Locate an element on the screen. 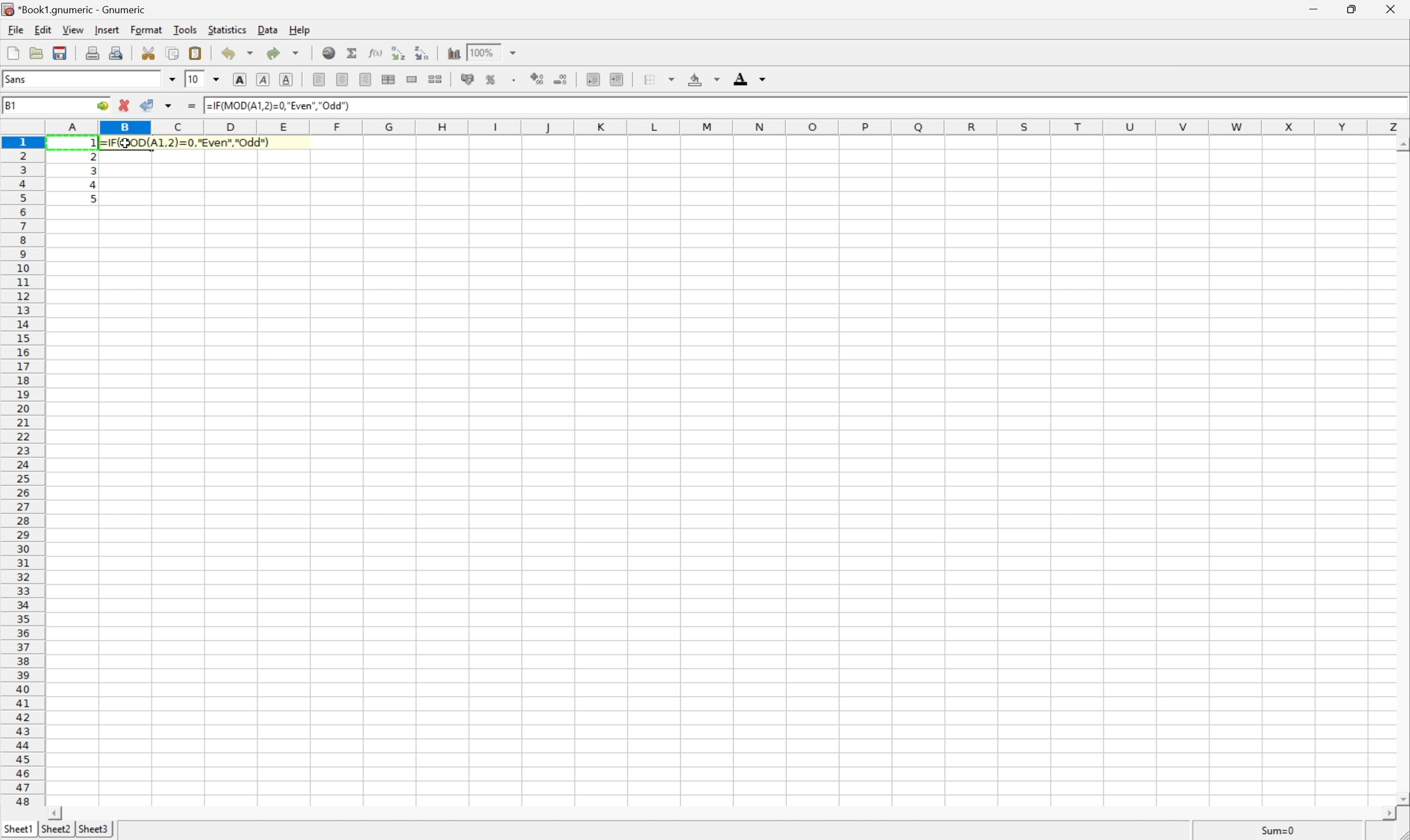 The width and height of the screenshot is (1410, 840). 5 is located at coordinates (95, 199).